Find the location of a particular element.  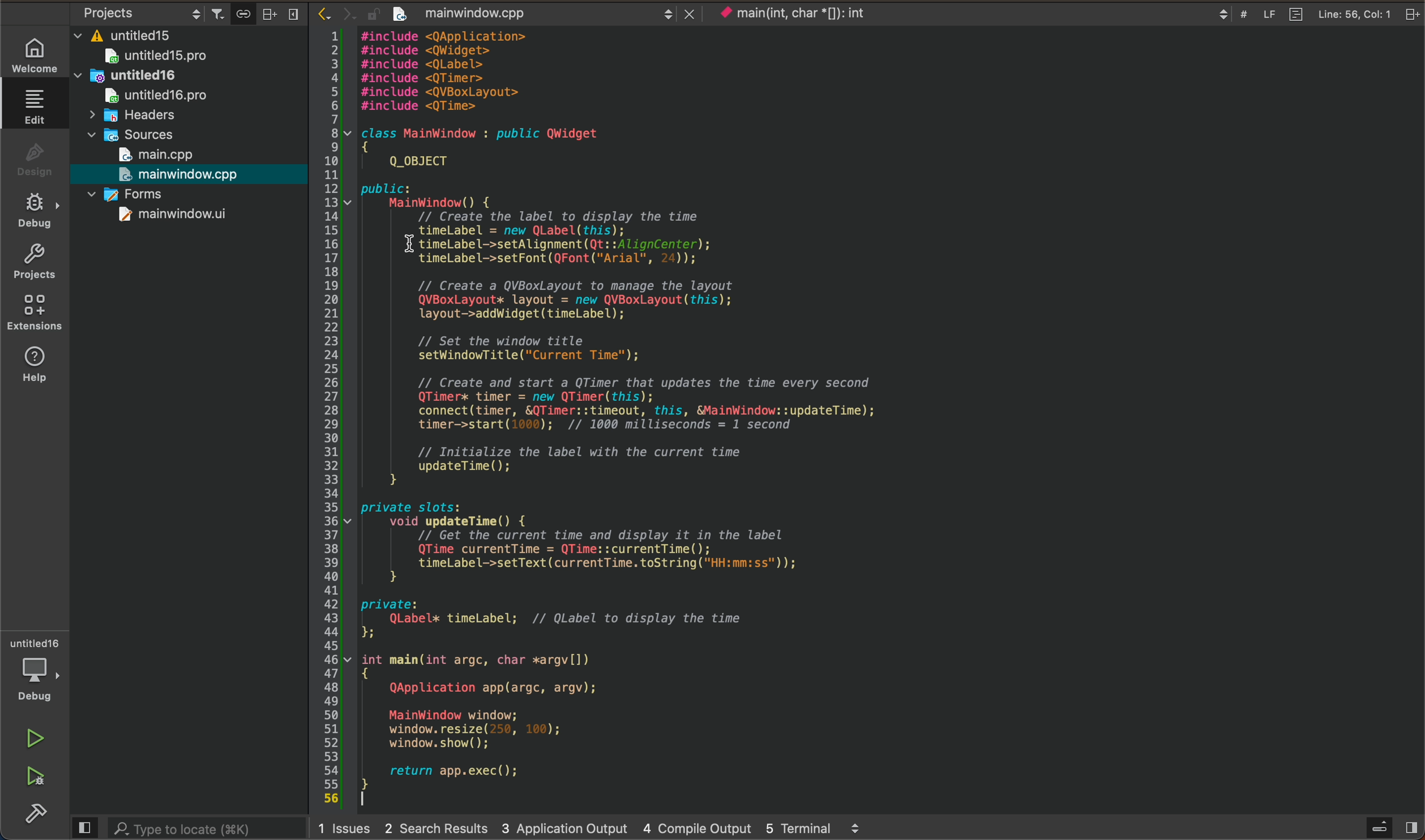

debugger is located at coordinates (37, 670).